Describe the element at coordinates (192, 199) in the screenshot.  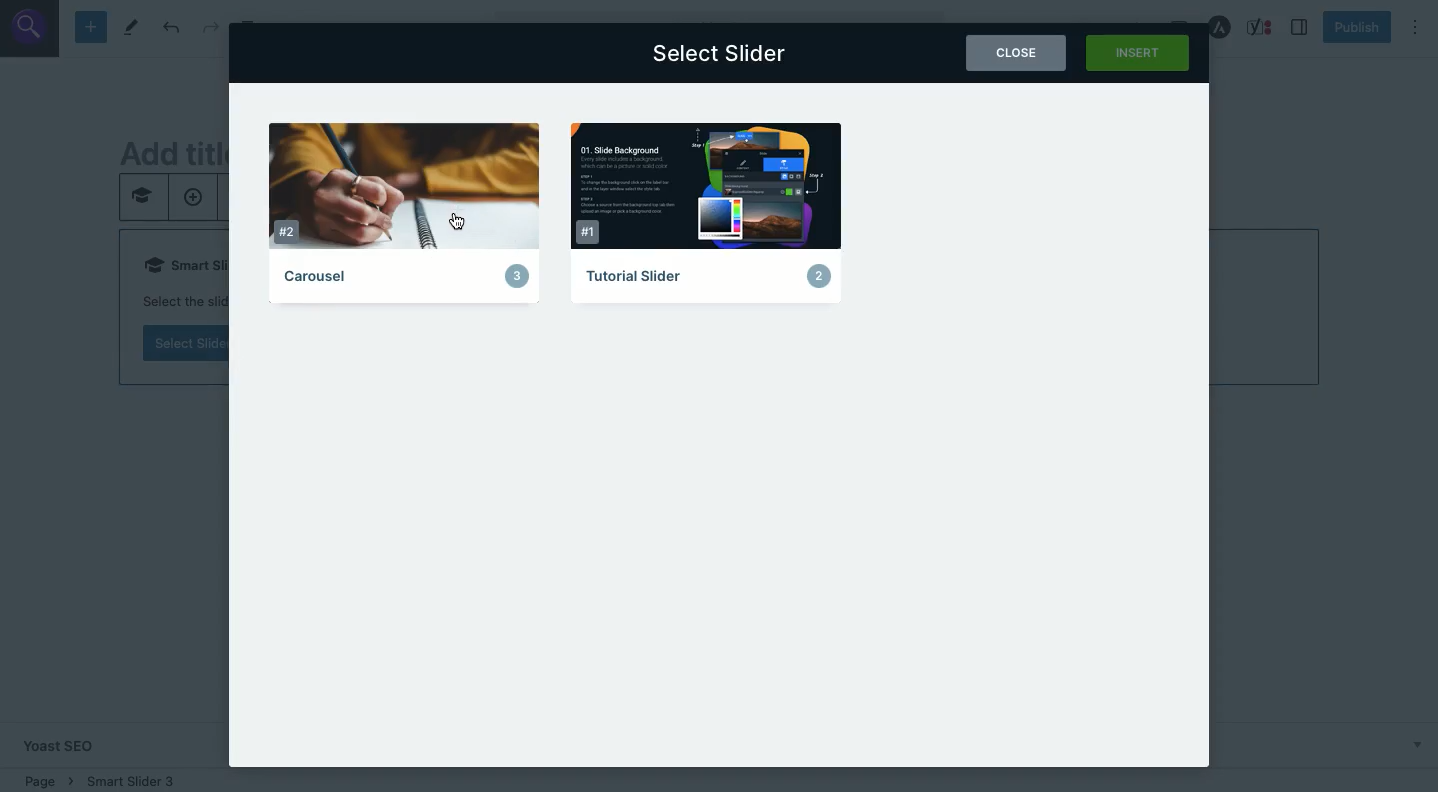
I see `new` at that location.